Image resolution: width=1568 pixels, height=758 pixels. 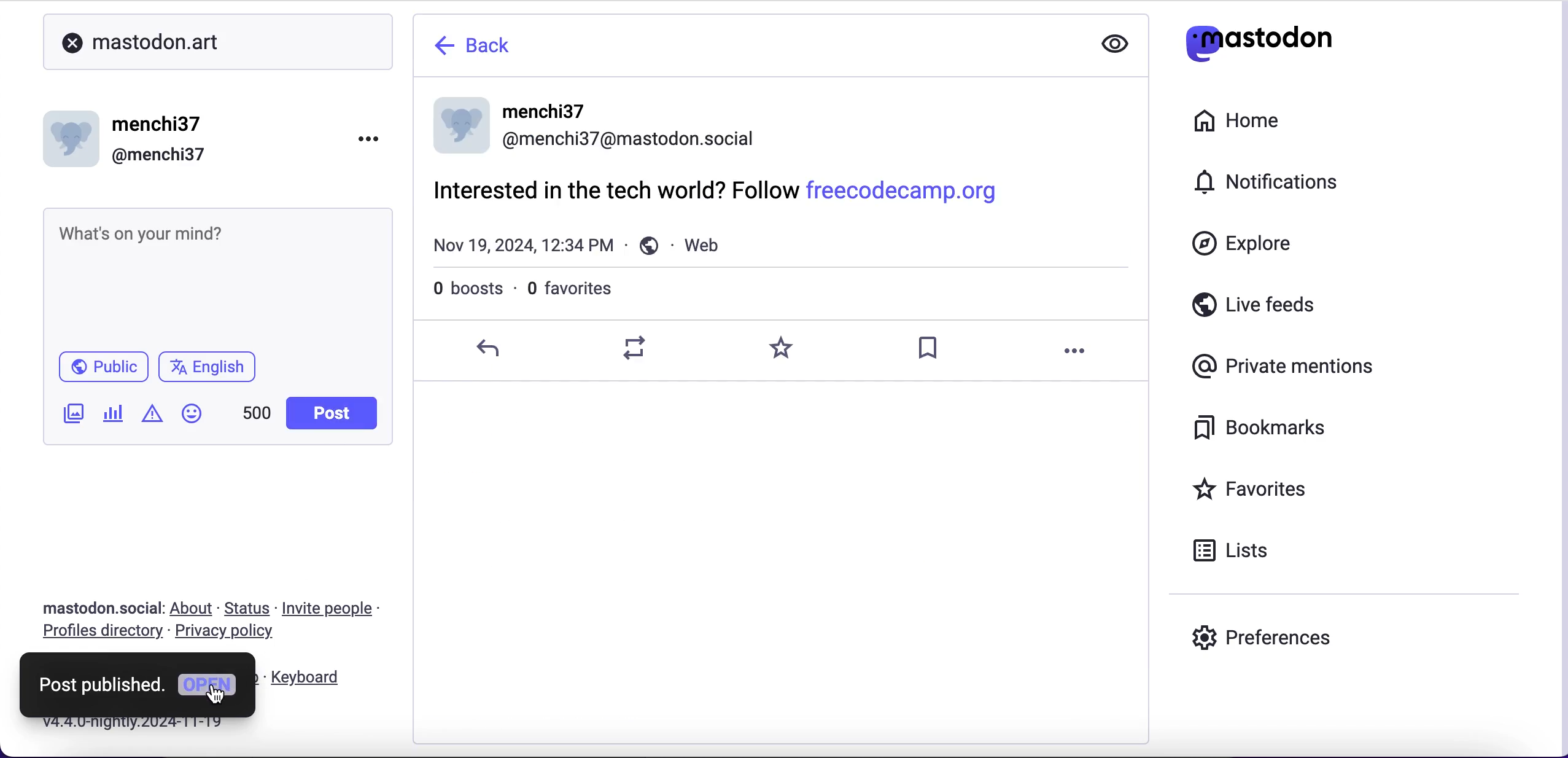 What do you see at coordinates (783, 348) in the screenshot?
I see `favorite` at bounding box center [783, 348].